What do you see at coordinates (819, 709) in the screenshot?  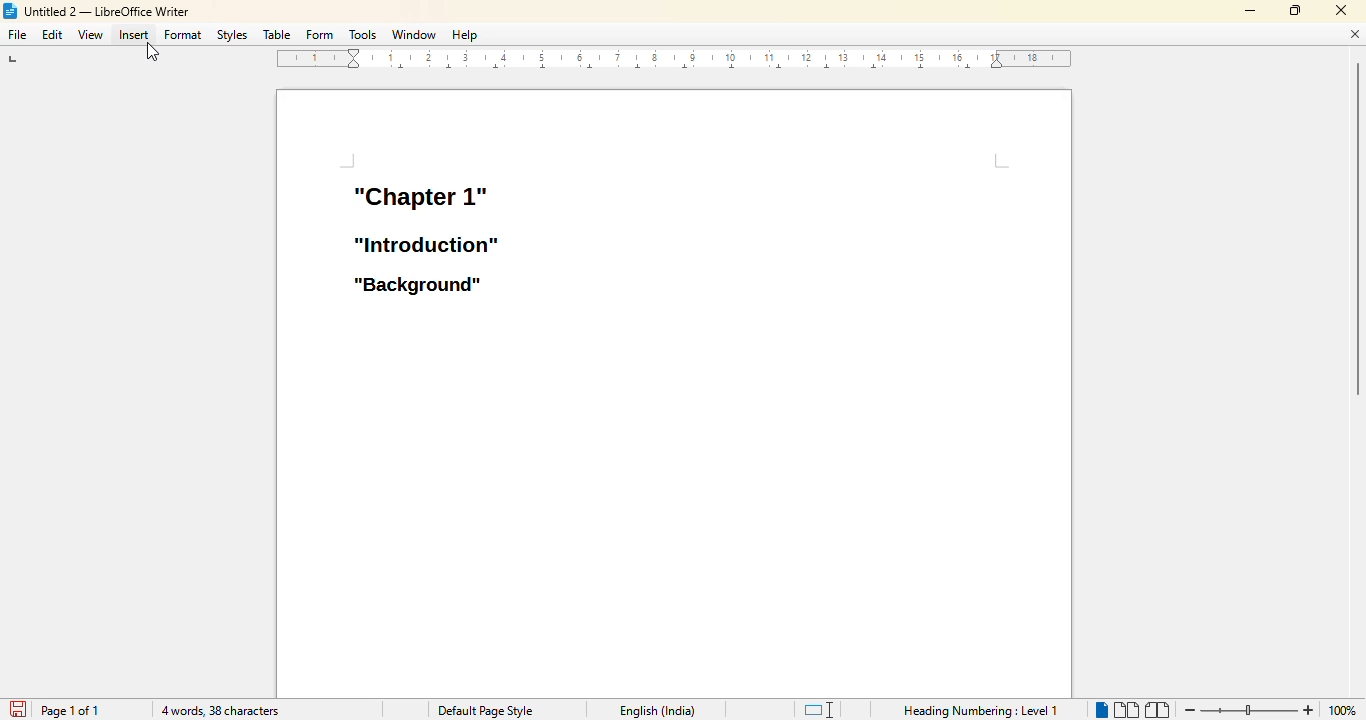 I see `standard selection` at bounding box center [819, 709].